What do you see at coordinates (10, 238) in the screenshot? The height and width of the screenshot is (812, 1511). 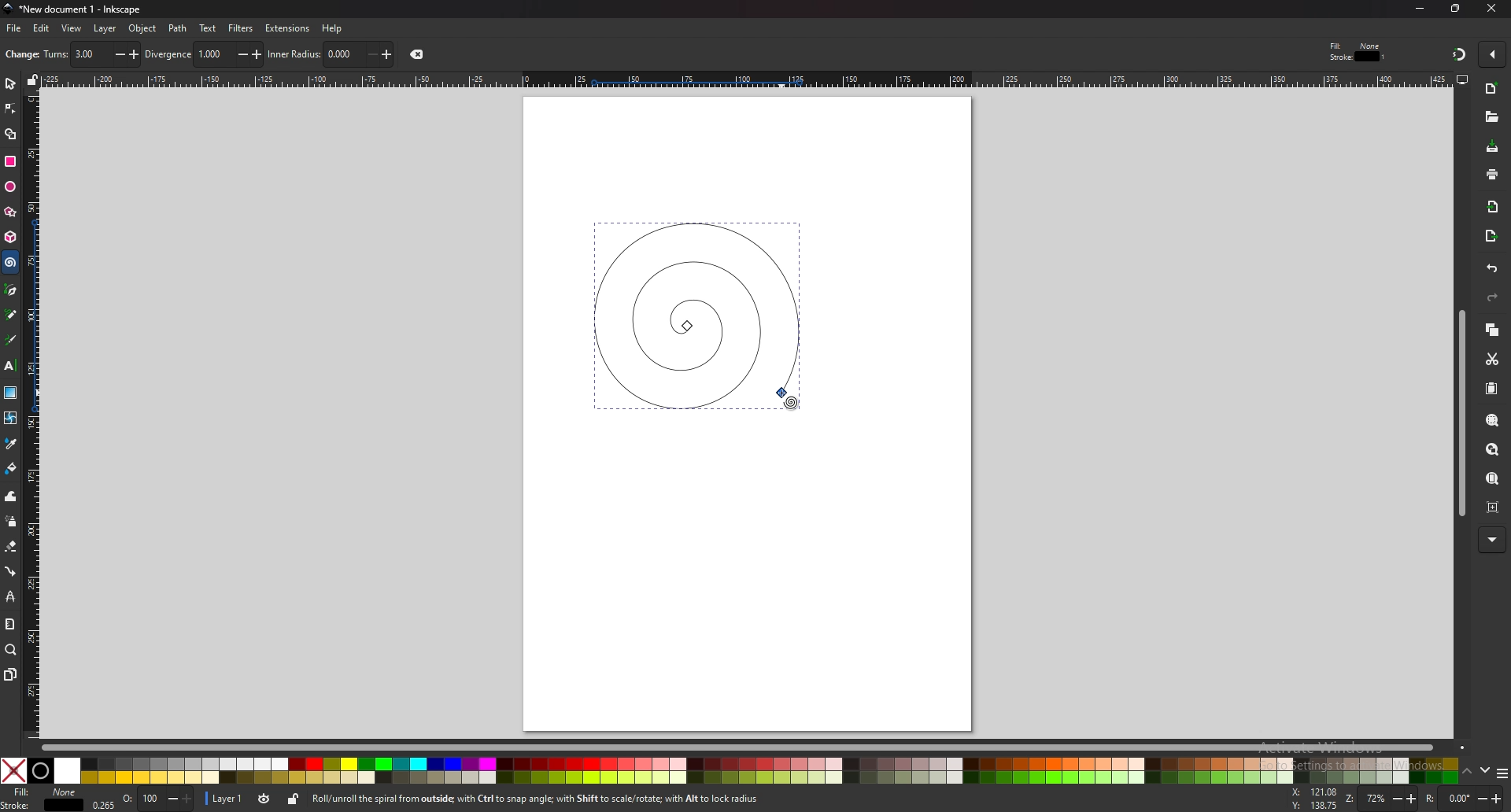 I see `3d box` at bounding box center [10, 238].